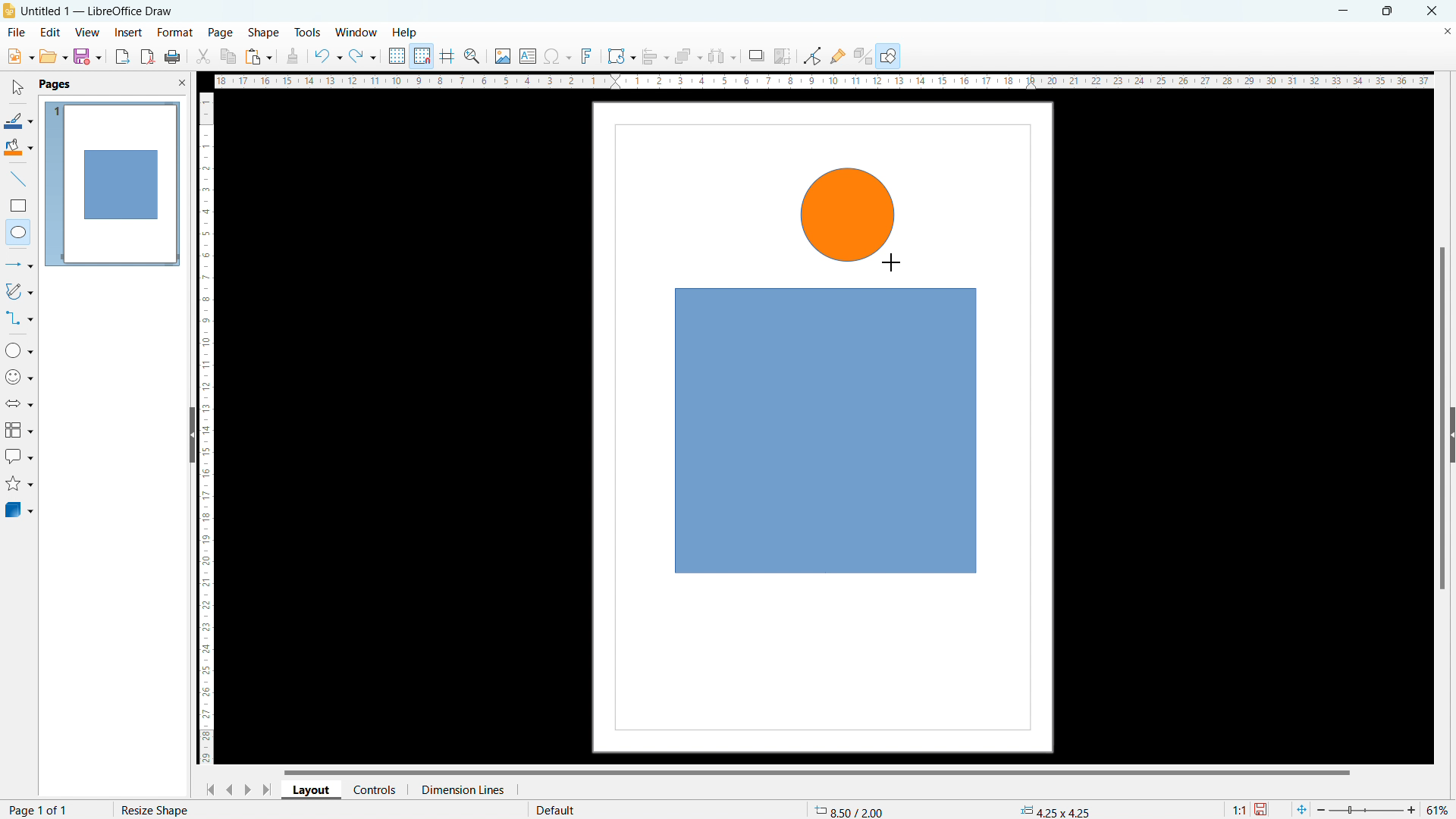  I want to click on guidelines while moving, so click(447, 57).